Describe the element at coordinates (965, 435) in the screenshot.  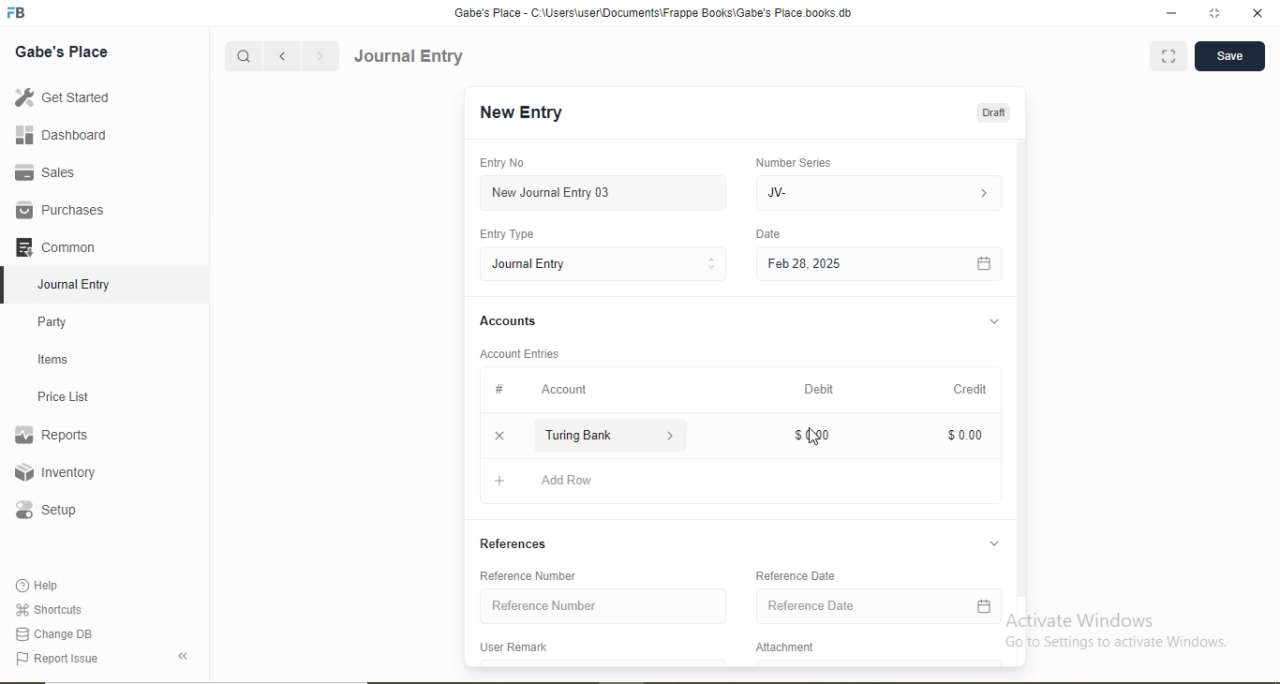
I see `$0.00` at that location.